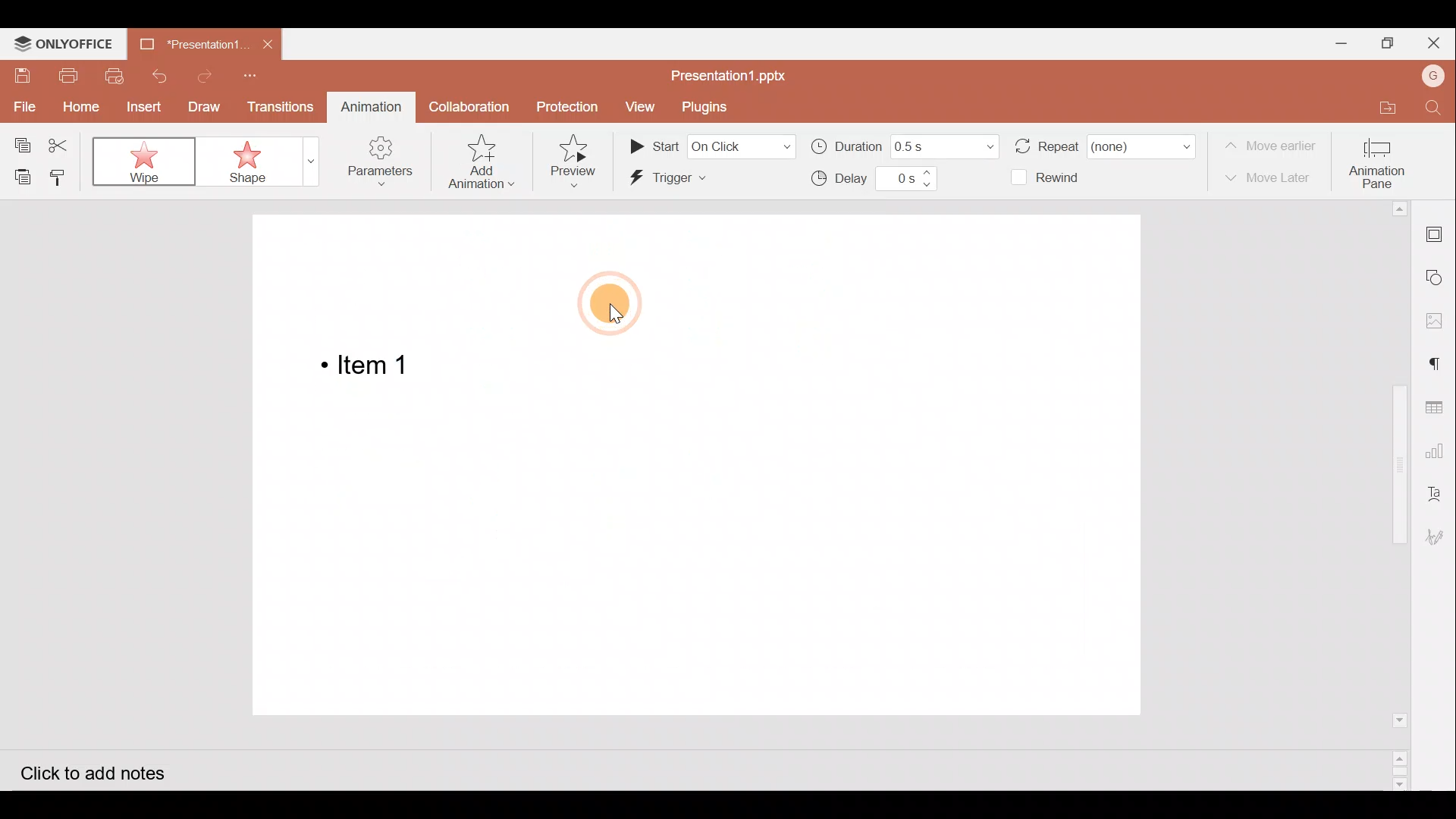 Image resolution: width=1456 pixels, height=819 pixels. What do you see at coordinates (115, 74) in the screenshot?
I see `Quick print` at bounding box center [115, 74].